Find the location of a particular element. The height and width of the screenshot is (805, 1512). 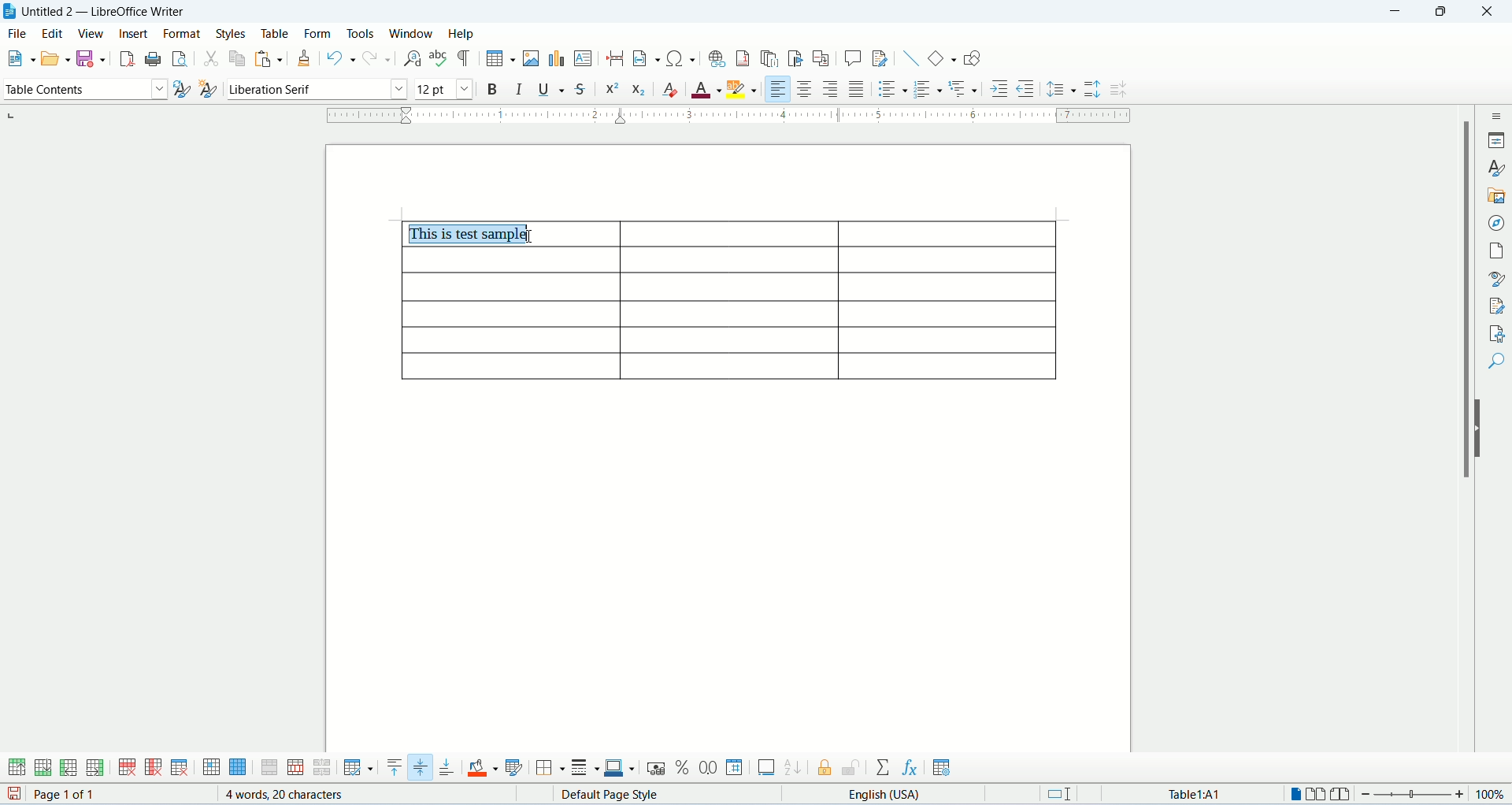

page is located at coordinates (1497, 247).